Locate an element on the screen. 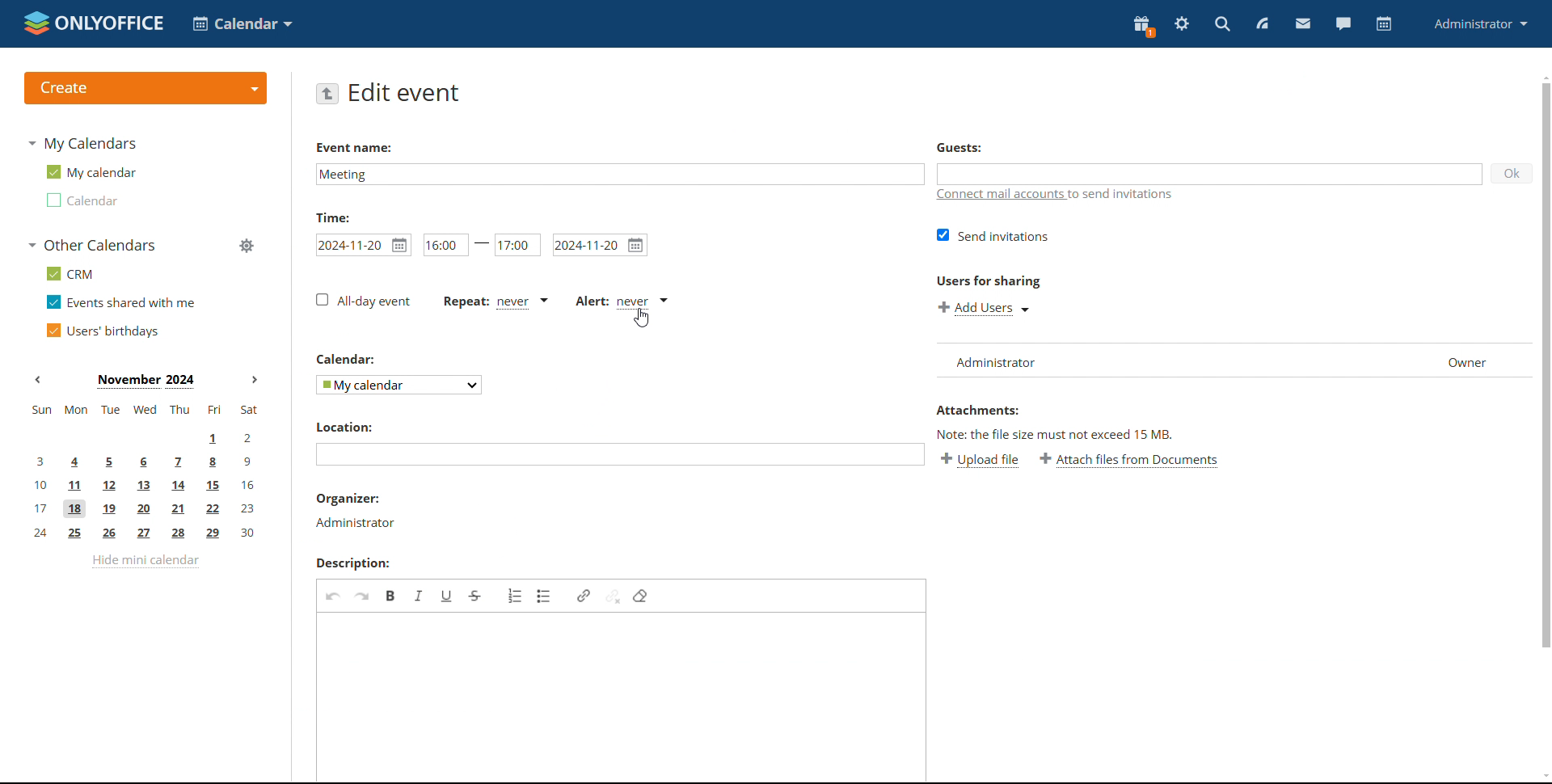 Image resolution: width=1552 pixels, height=784 pixels. manage is located at coordinates (245, 245).